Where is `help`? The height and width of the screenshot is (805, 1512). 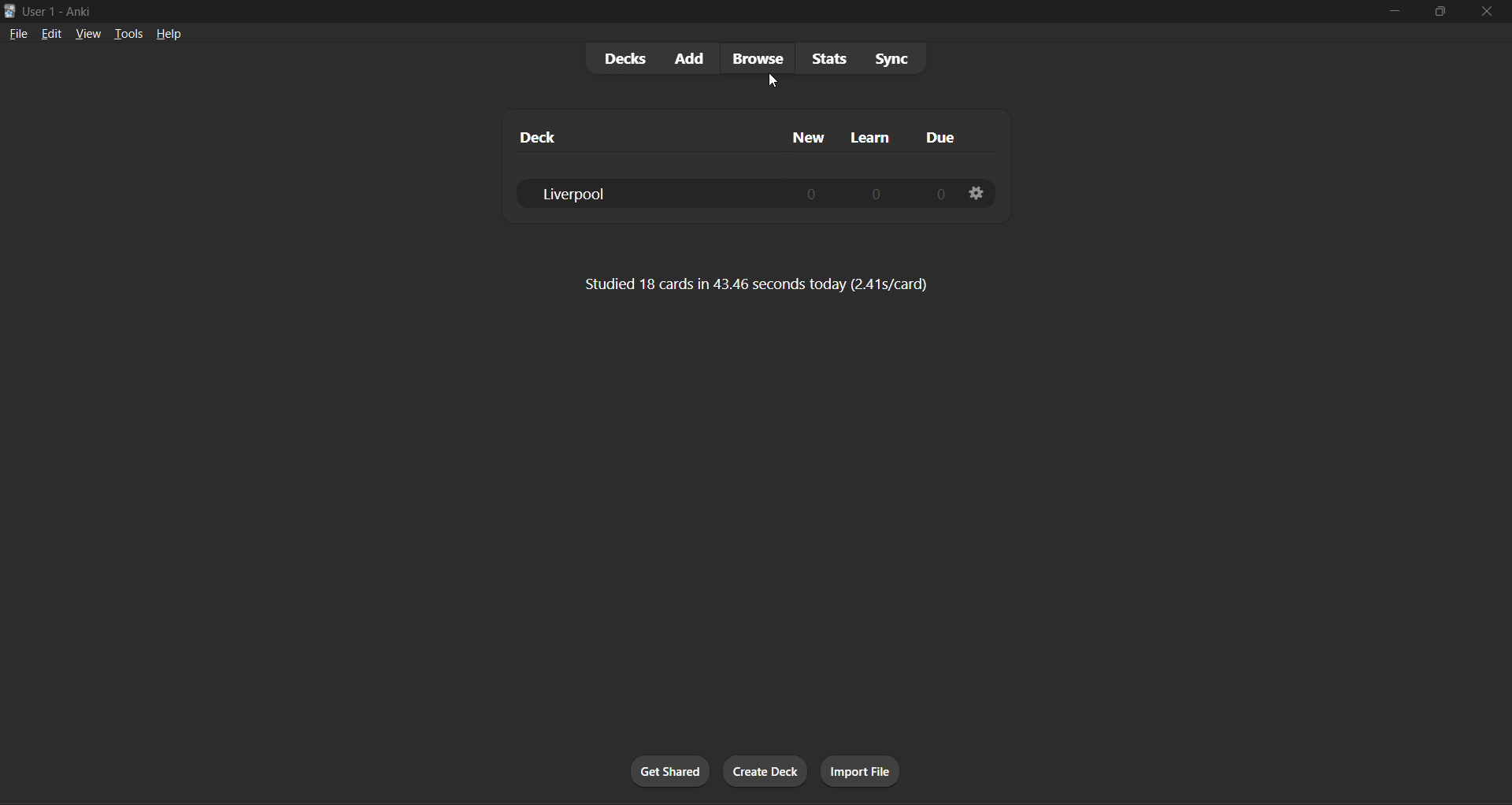 help is located at coordinates (169, 33).